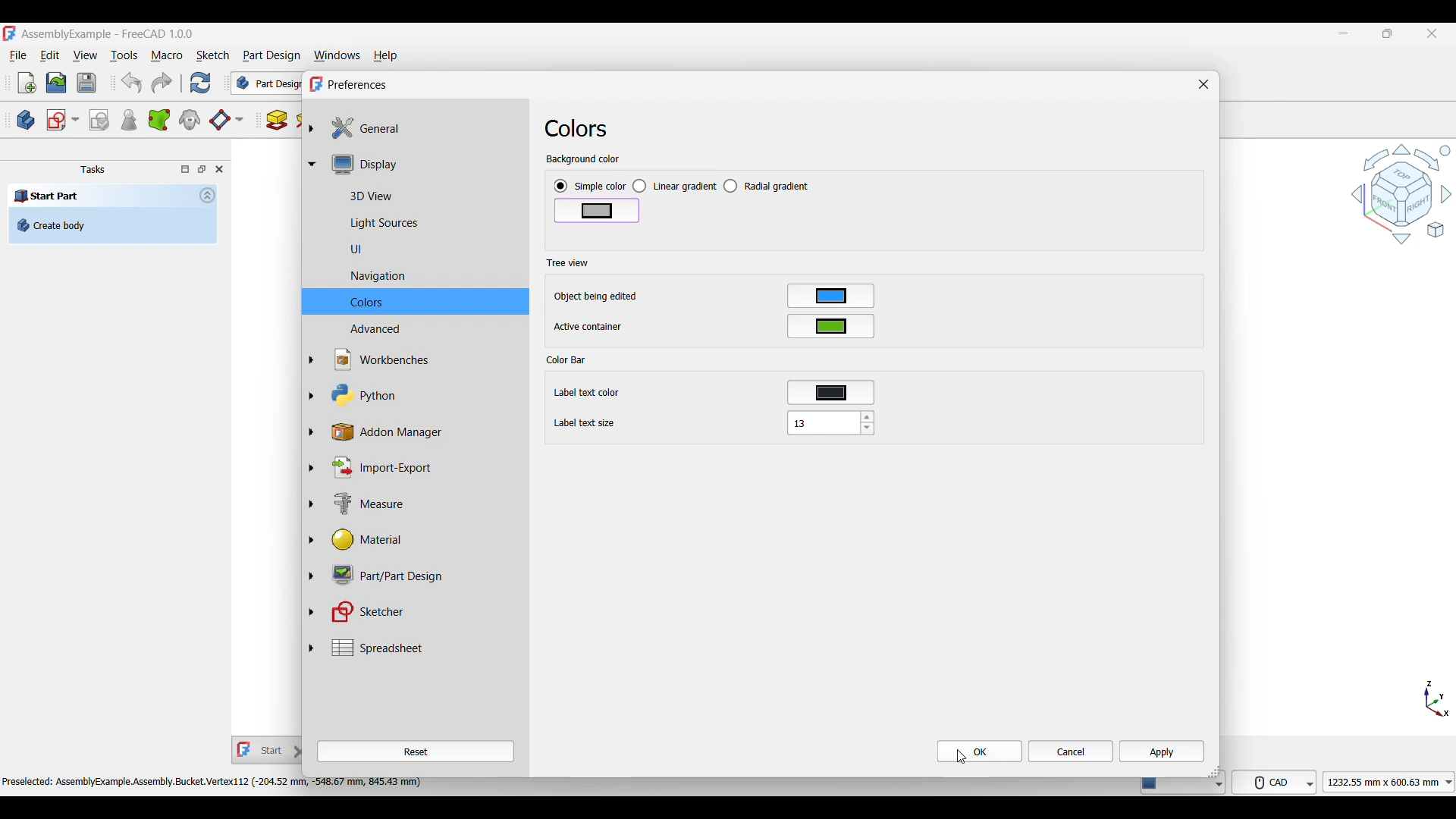  I want to click on Axis navigation, so click(1437, 698).